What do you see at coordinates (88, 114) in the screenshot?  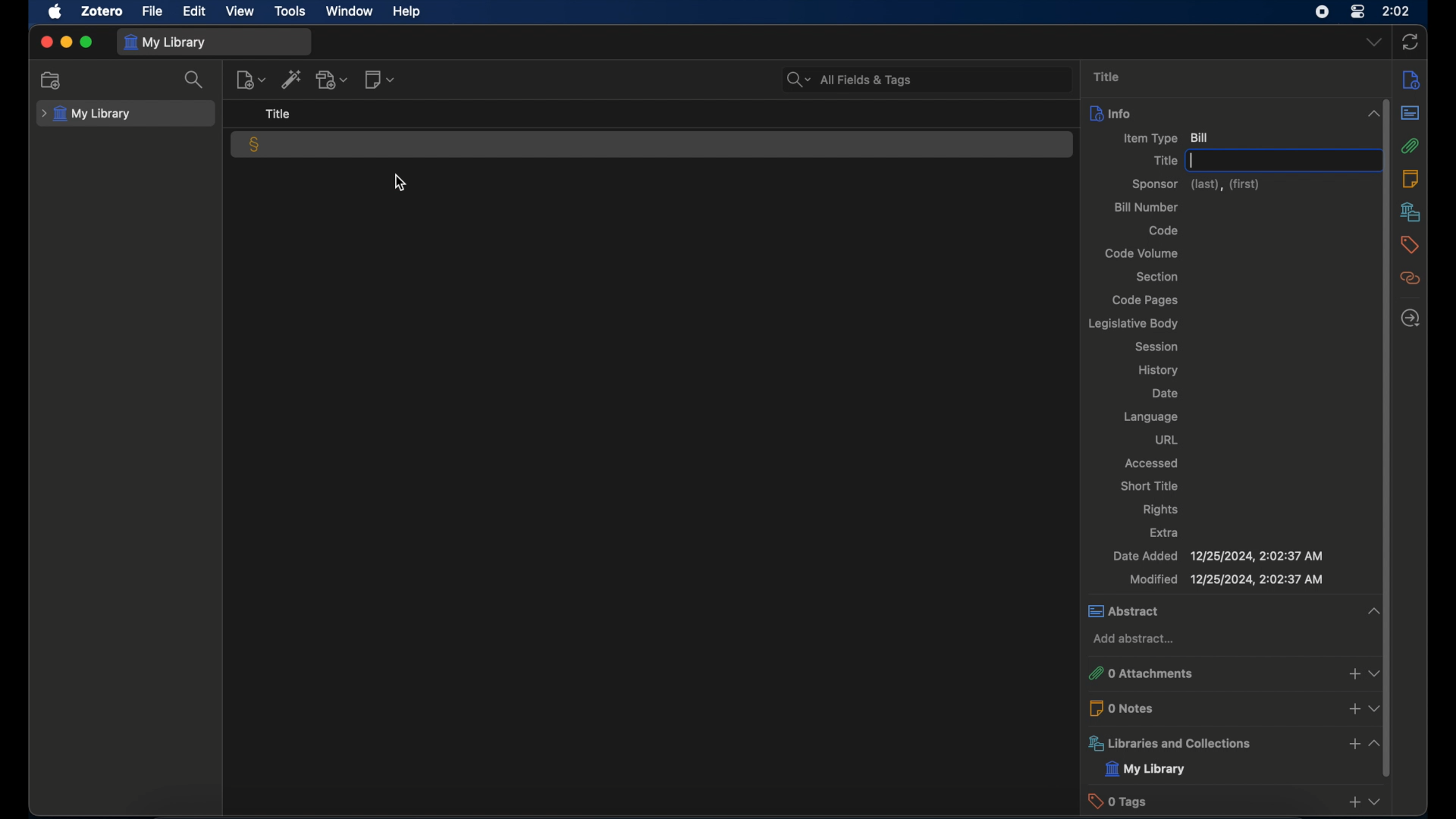 I see `my library` at bounding box center [88, 114].